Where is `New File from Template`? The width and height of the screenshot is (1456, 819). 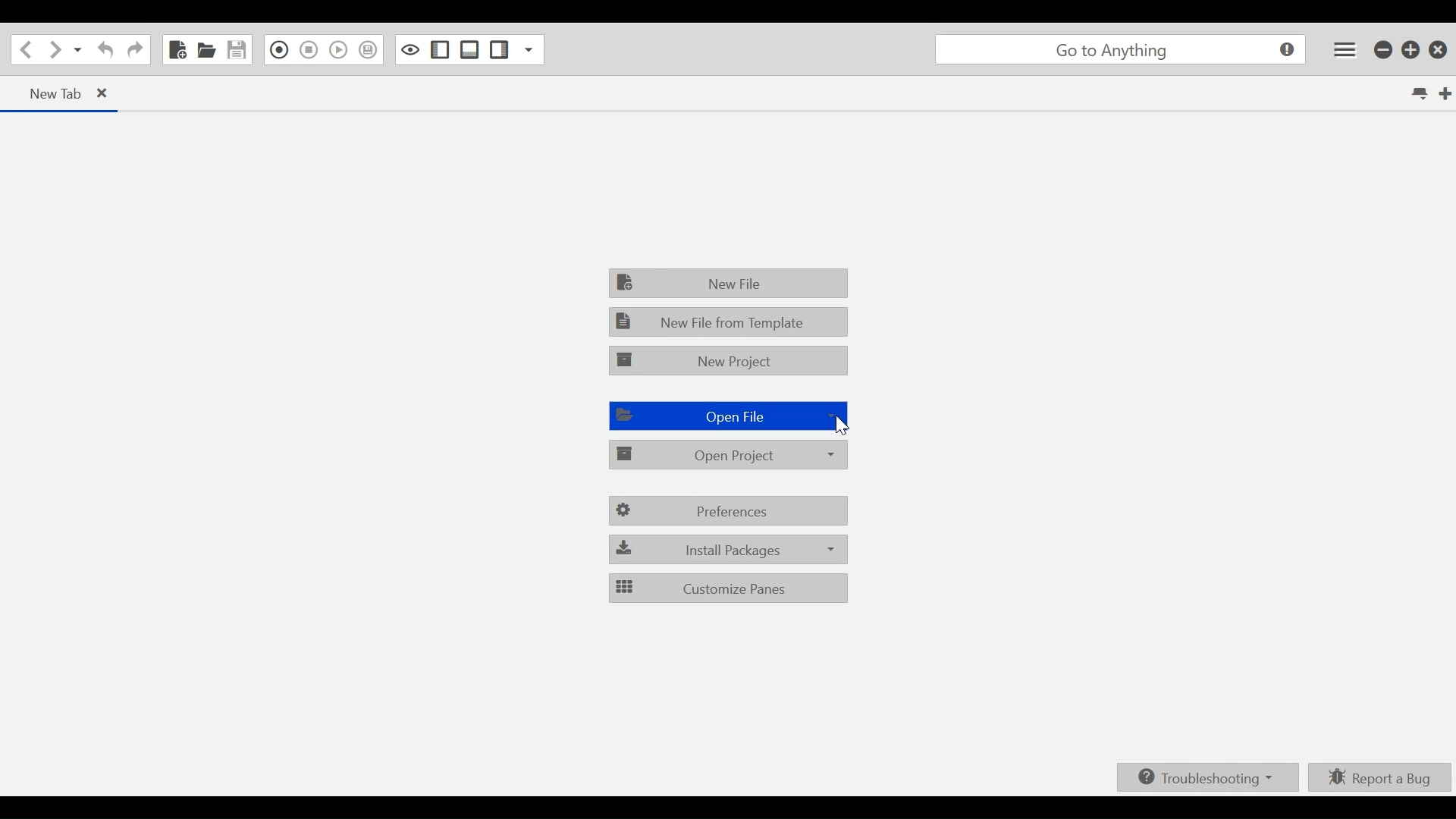
New File from Template is located at coordinates (727, 322).